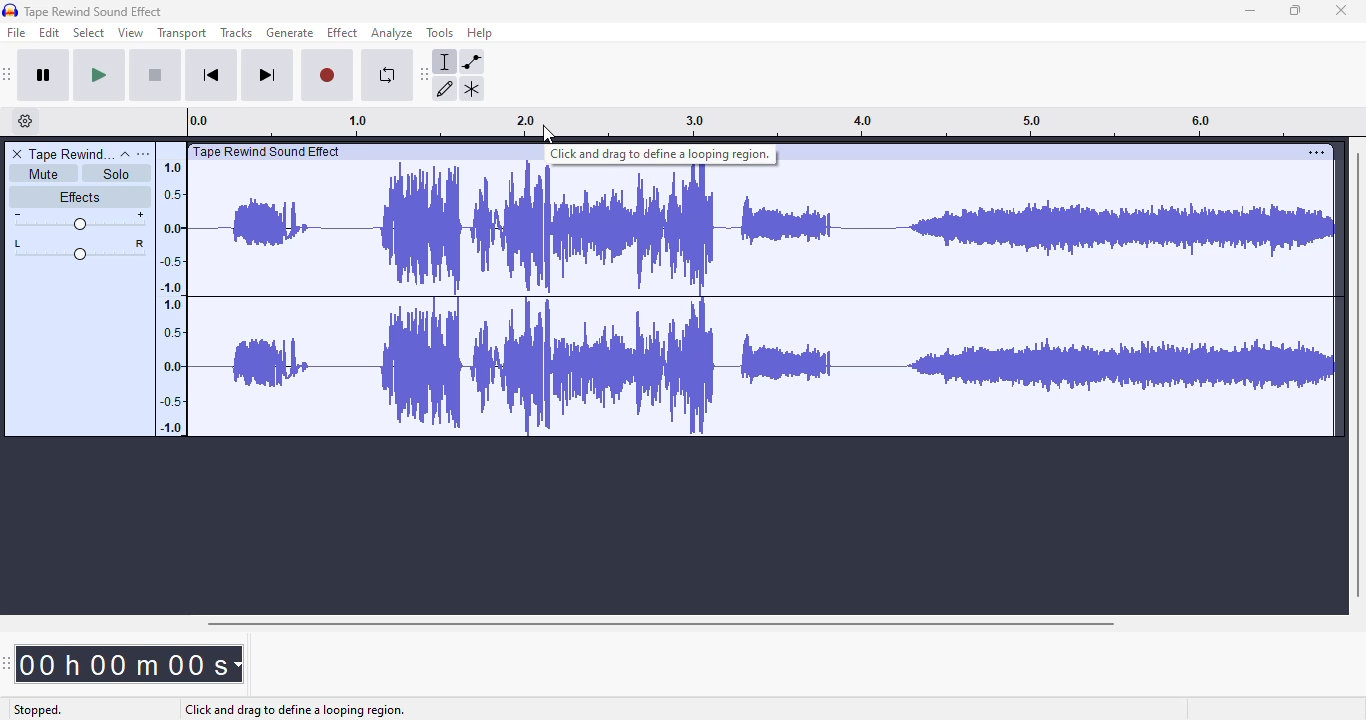 This screenshot has height=720, width=1366. I want to click on settings, so click(1316, 152).